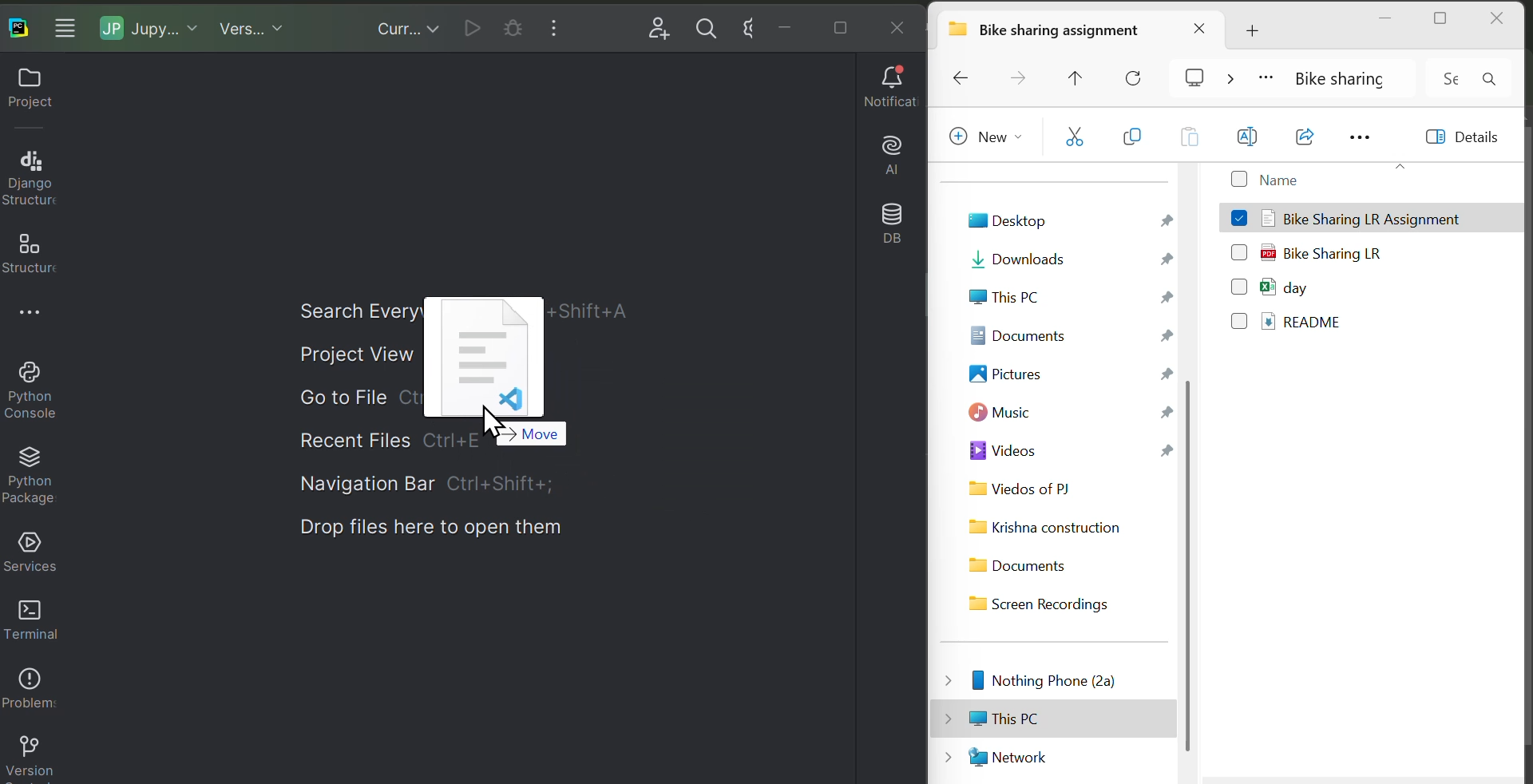  Describe the element at coordinates (1075, 139) in the screenshot. I see `cut` at that location.